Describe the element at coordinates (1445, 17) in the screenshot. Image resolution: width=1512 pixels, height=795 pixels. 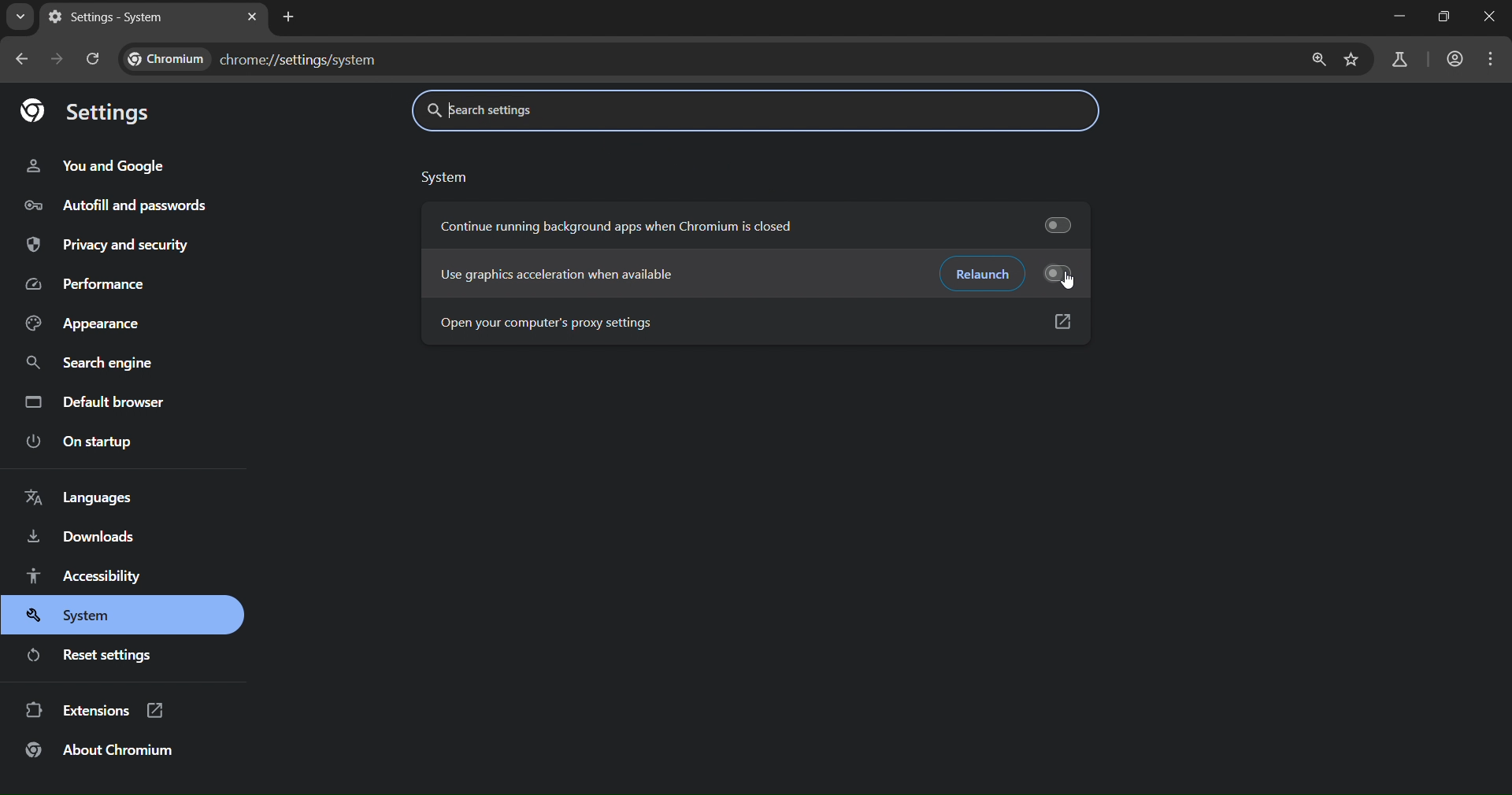
I see `Maximize` at that location.